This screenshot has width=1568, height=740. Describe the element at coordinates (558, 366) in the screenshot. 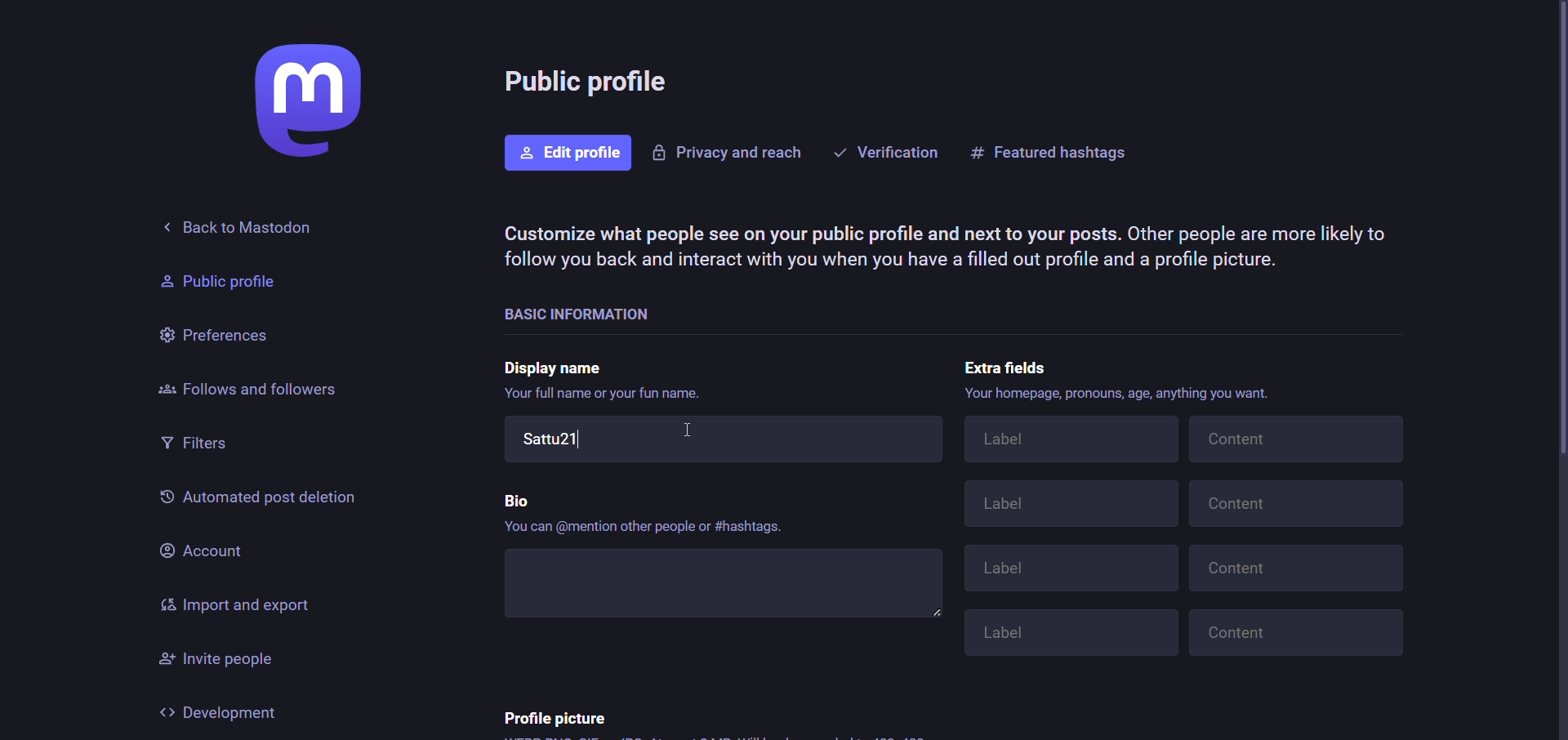

I see `display name` at that location.